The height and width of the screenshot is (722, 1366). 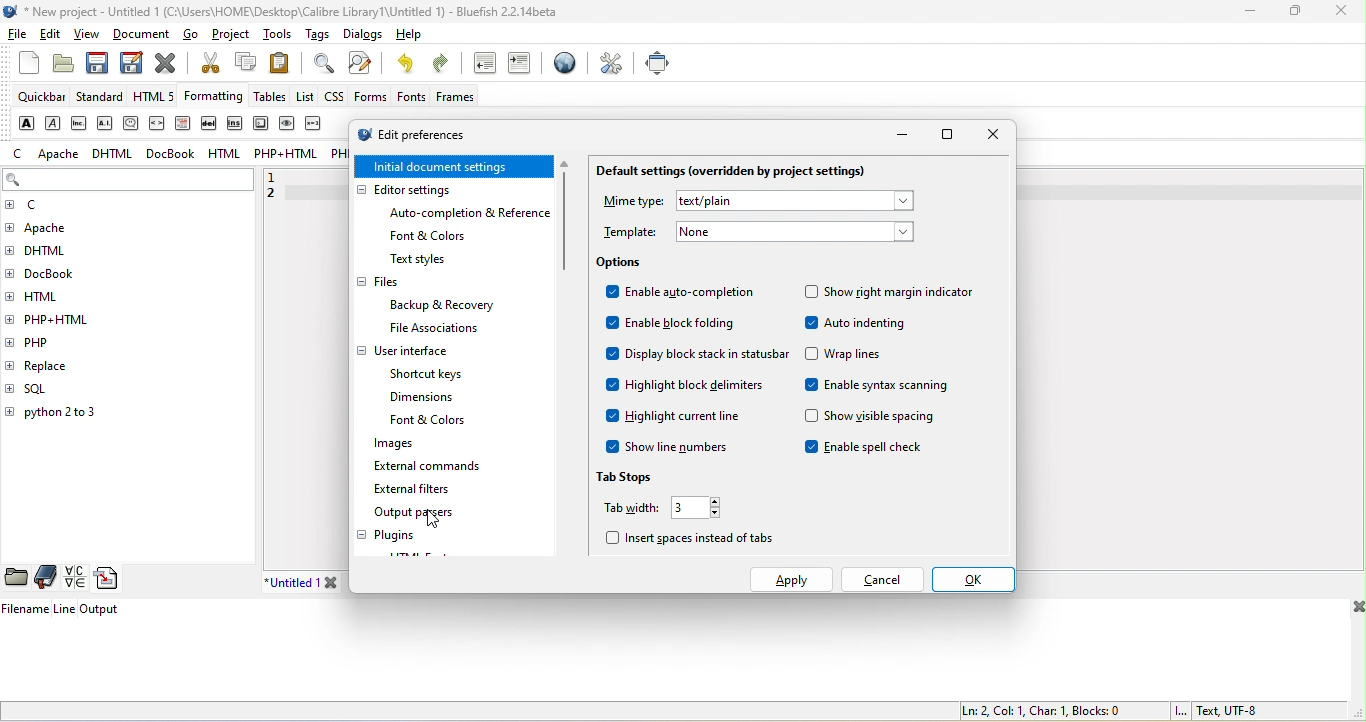 What do you see at coordinates (692, 387) in the screenshot?
I see `highlight block delimiters` at bounding box center [692, 387].